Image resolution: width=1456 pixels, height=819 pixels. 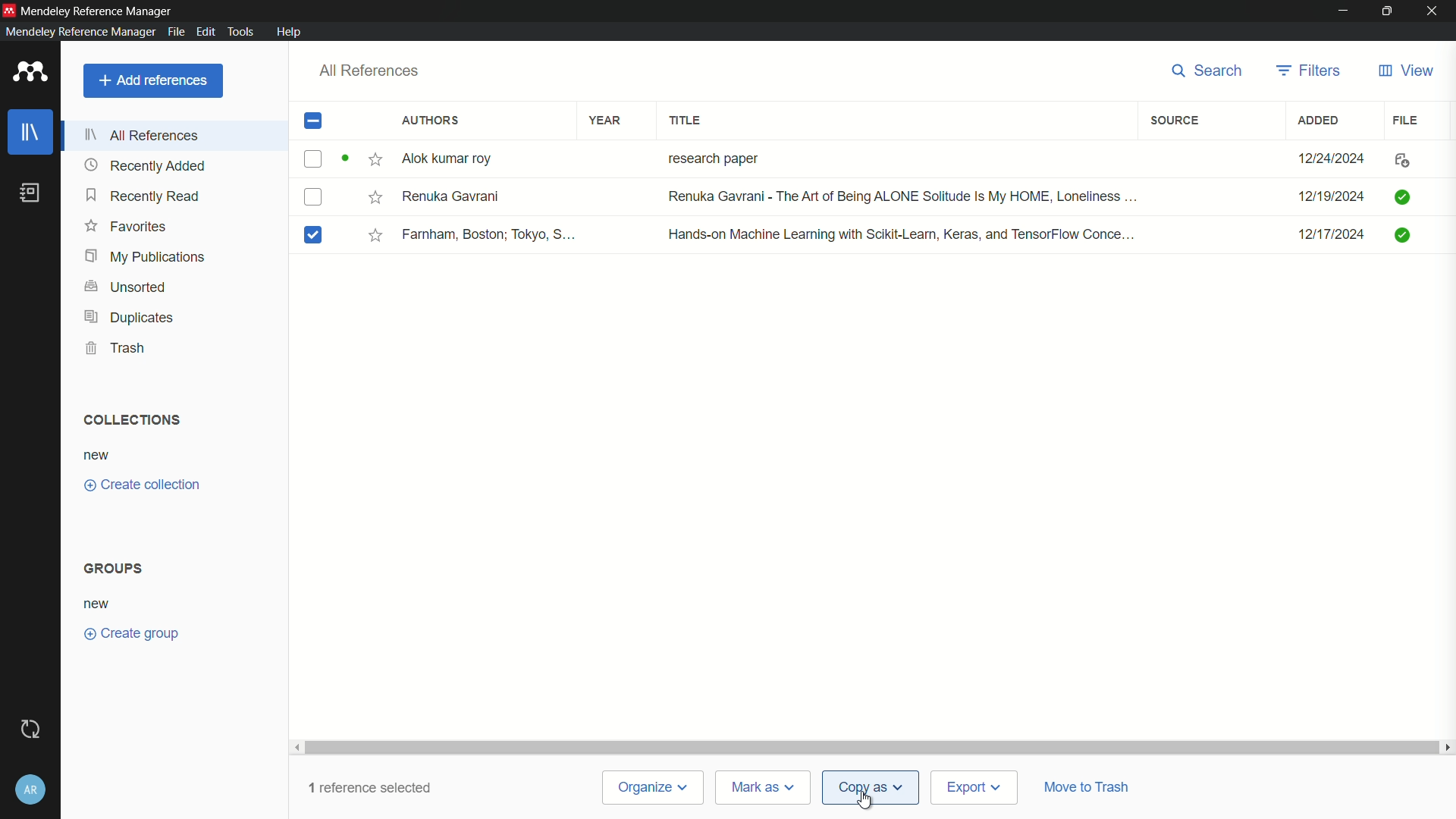 I want to click on added, so click(x=1319, y=121).